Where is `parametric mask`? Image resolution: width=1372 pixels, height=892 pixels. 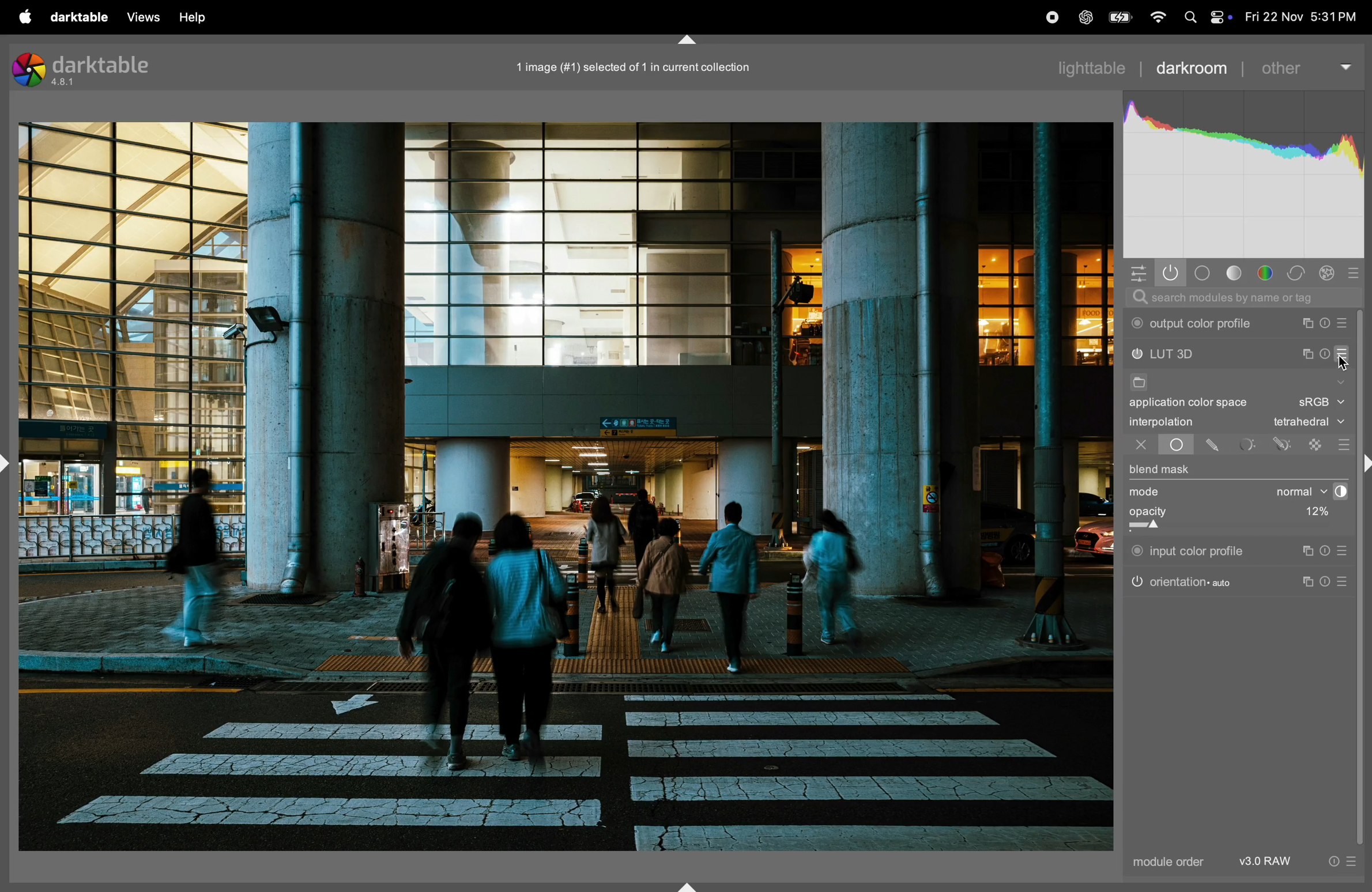 parametric mask is located at coordinates (1248, 444).